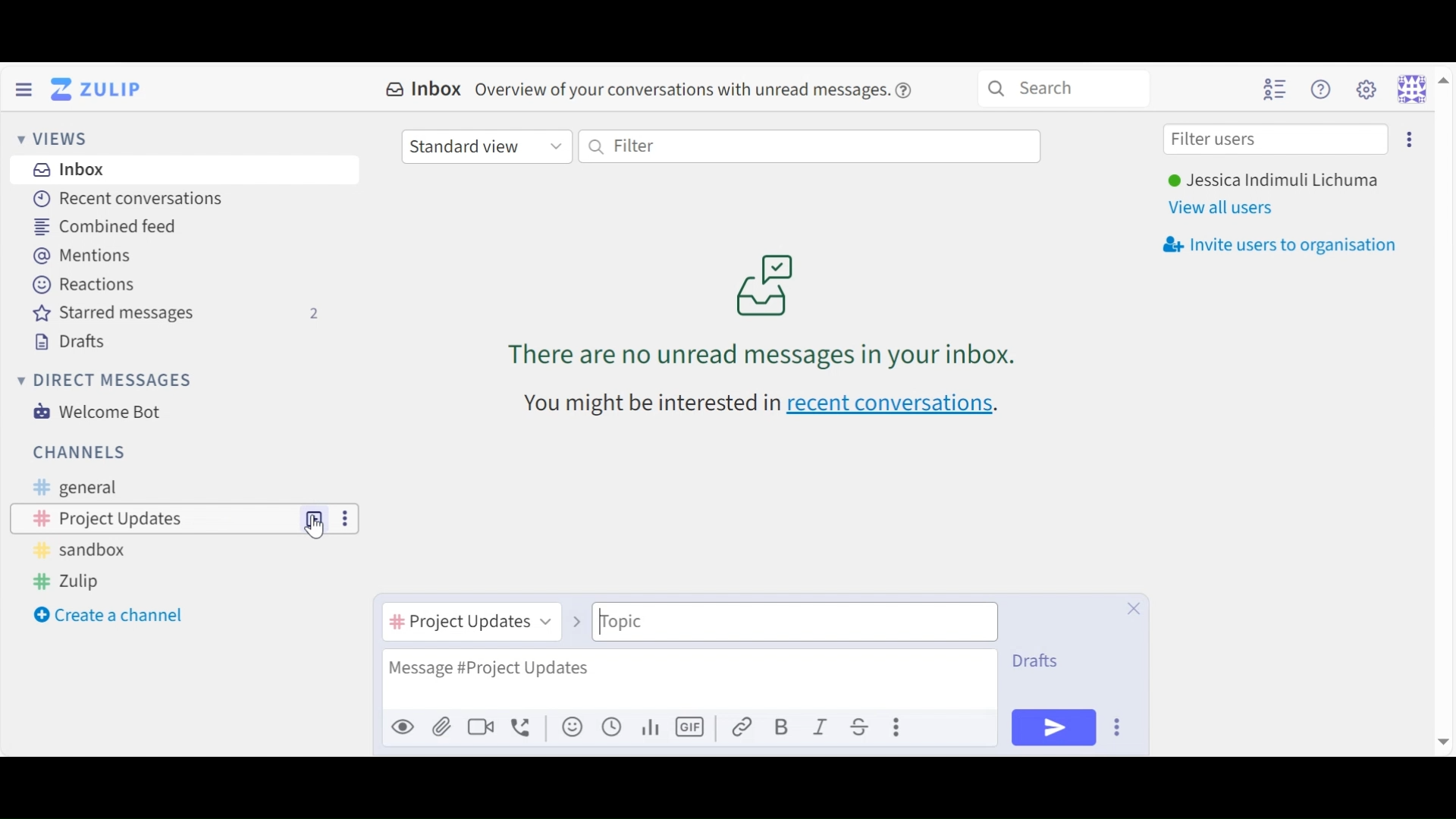  I want to click on Direct Messages, so click(108, 381).